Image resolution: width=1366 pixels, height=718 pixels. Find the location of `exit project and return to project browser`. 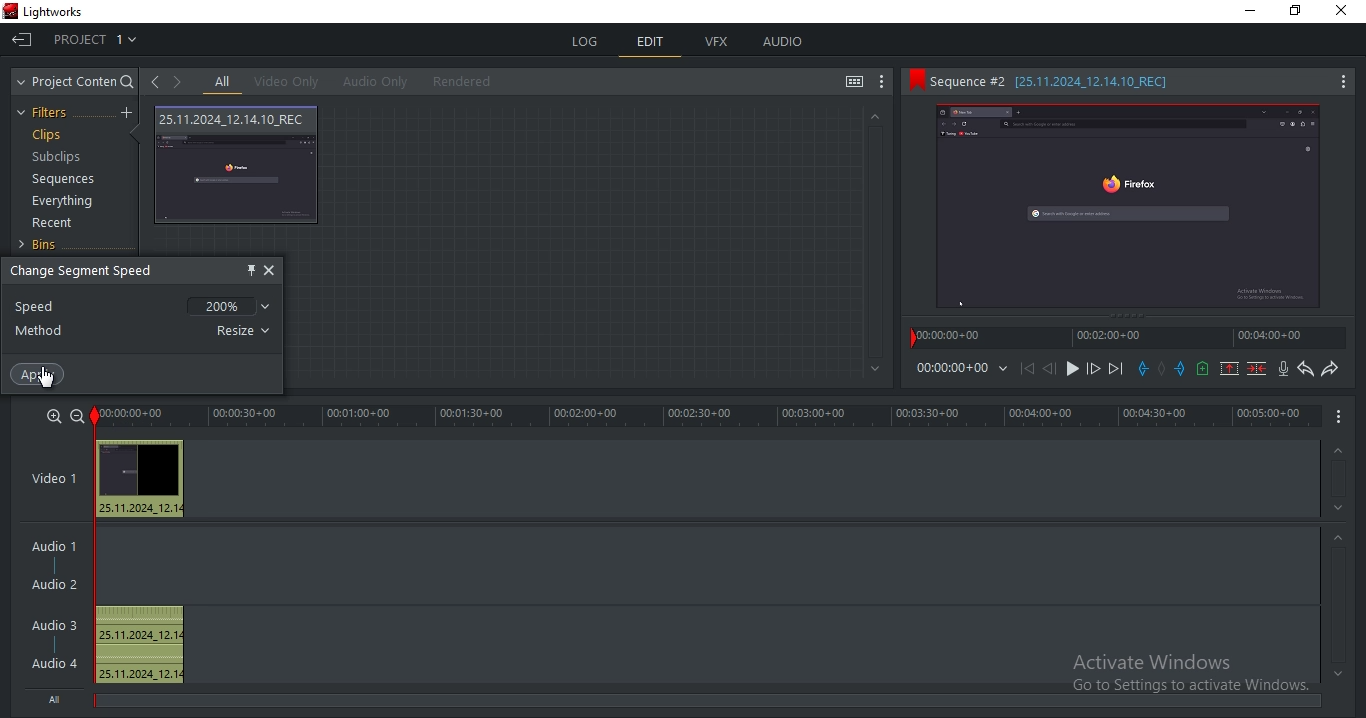

exit project and return to project browser is located at coordinates (22, 42).